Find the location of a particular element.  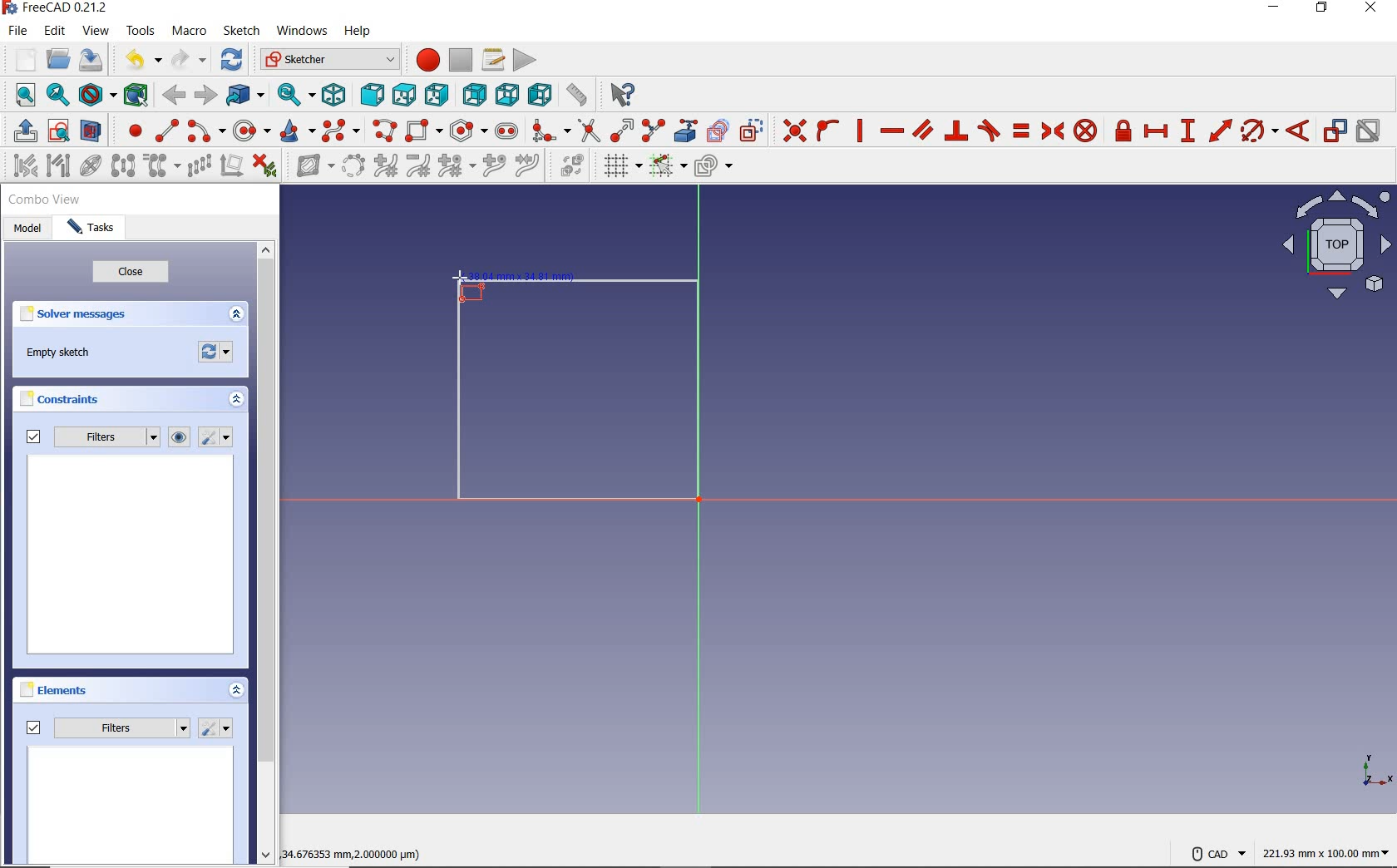

open is located at coordinates (60, 57).